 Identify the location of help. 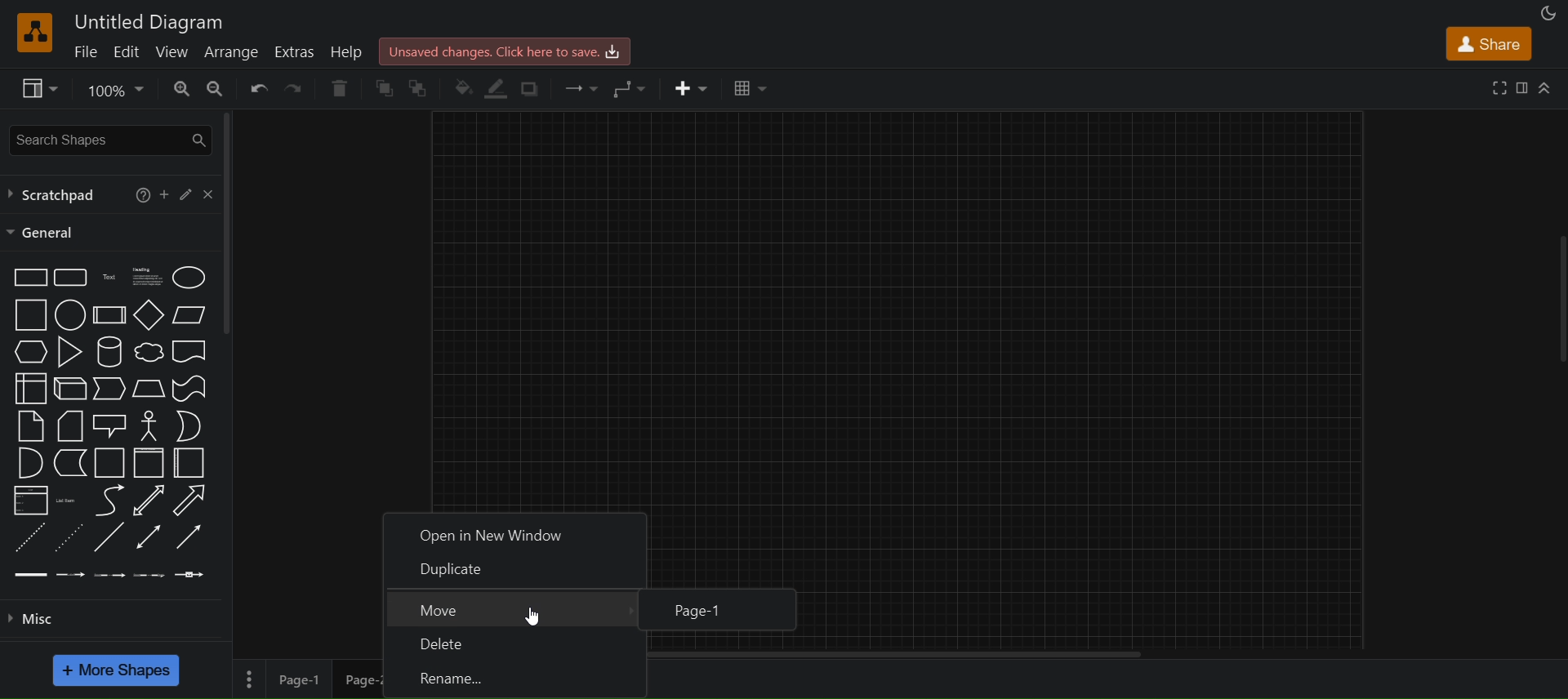
(349, 51).